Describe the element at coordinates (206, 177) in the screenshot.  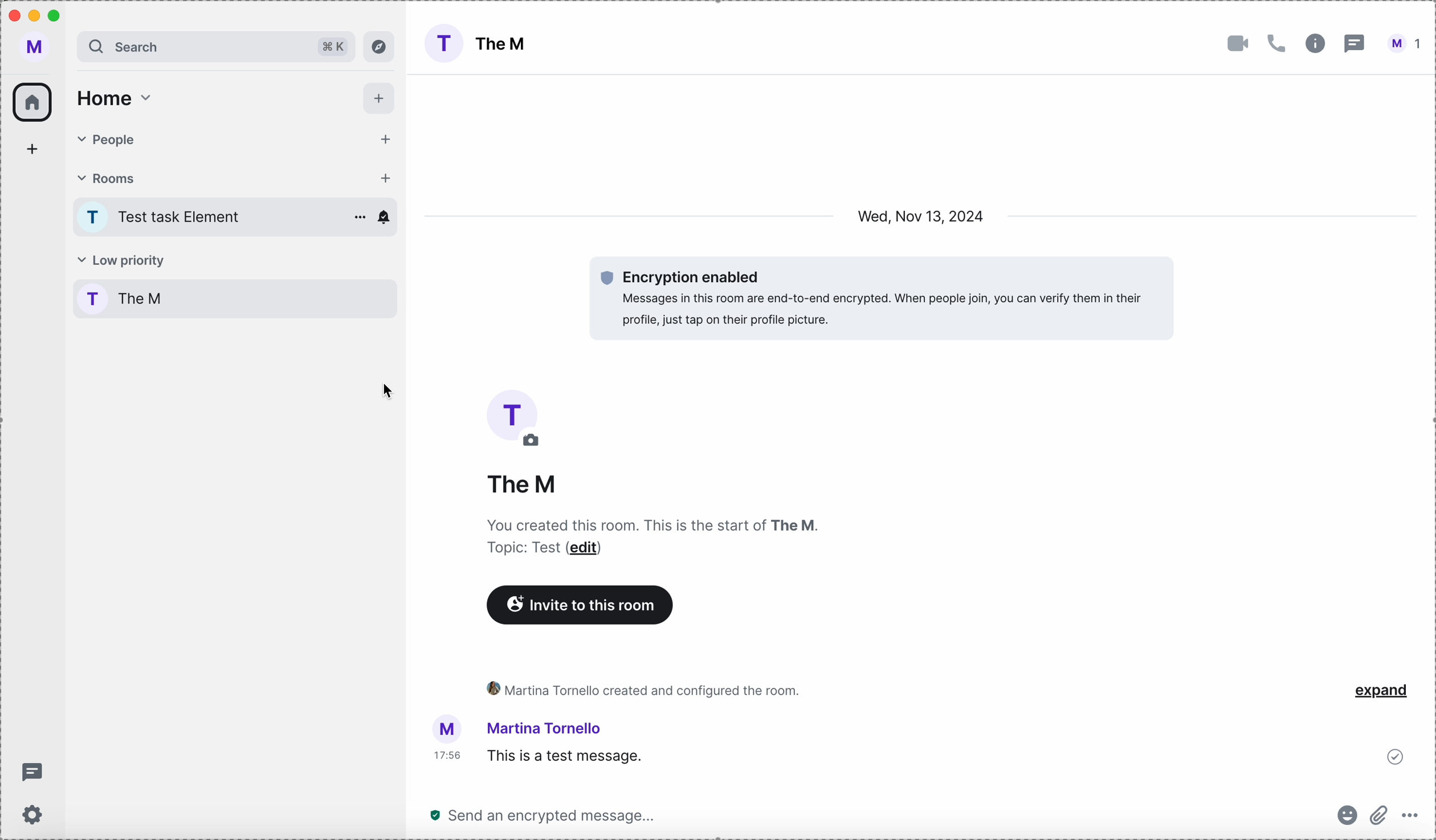
I see `rooms` at that location.